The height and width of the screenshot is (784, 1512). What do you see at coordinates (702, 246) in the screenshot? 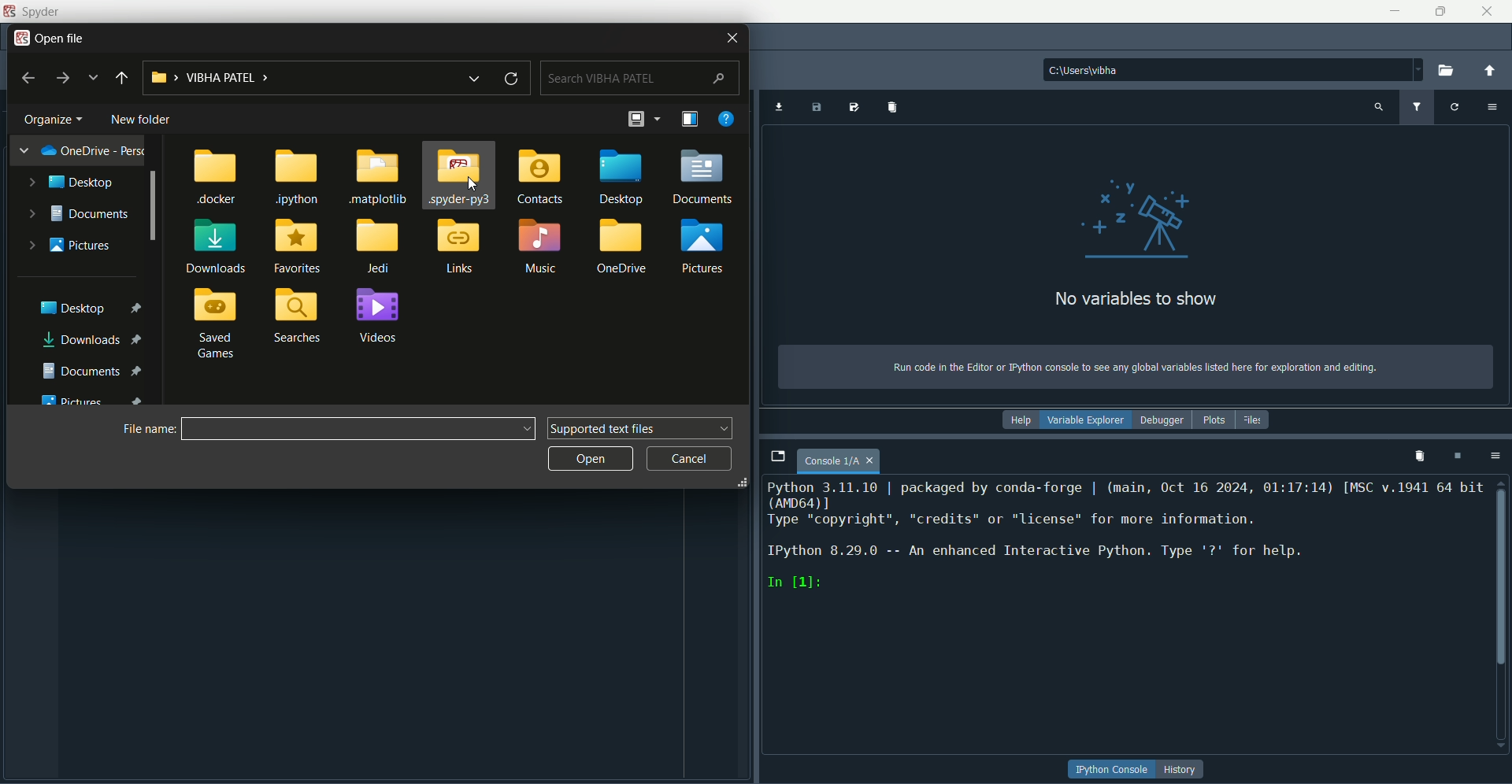
I see `folder` at bounding box center [702, 246].